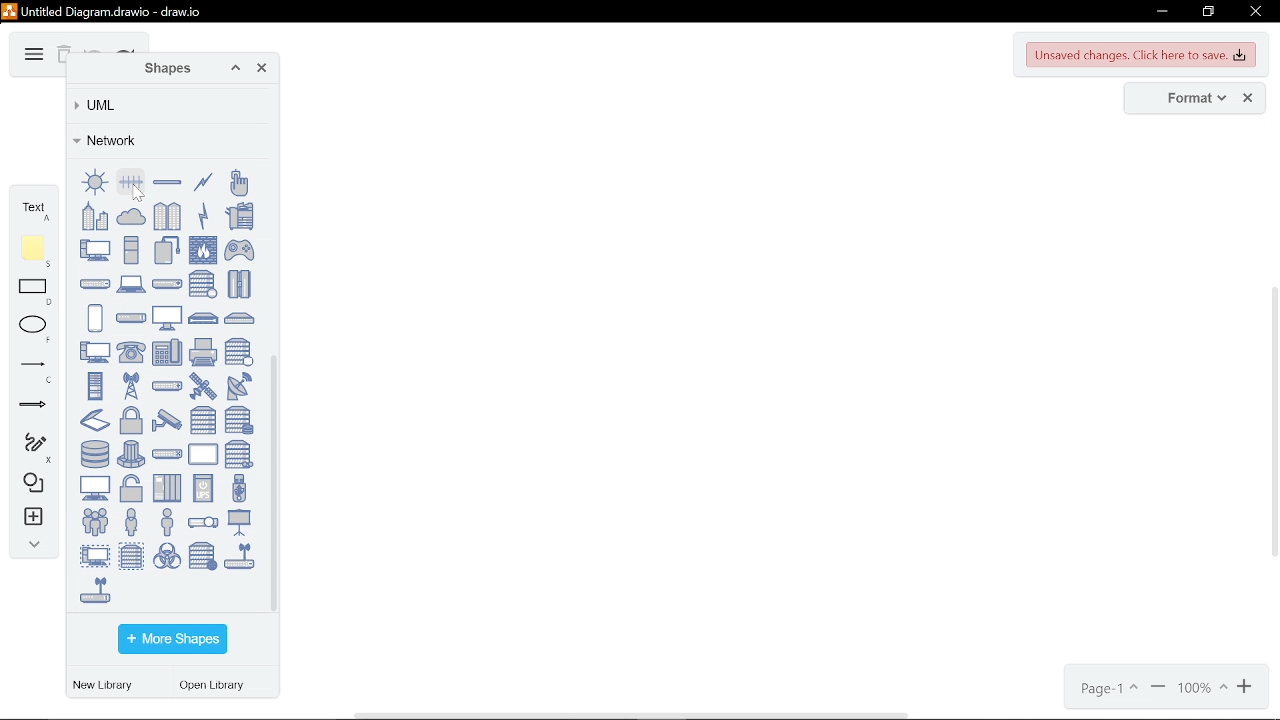 The width and height of the screenshot is (1280, 720). I want to click on mainframe, so click(239, 284).